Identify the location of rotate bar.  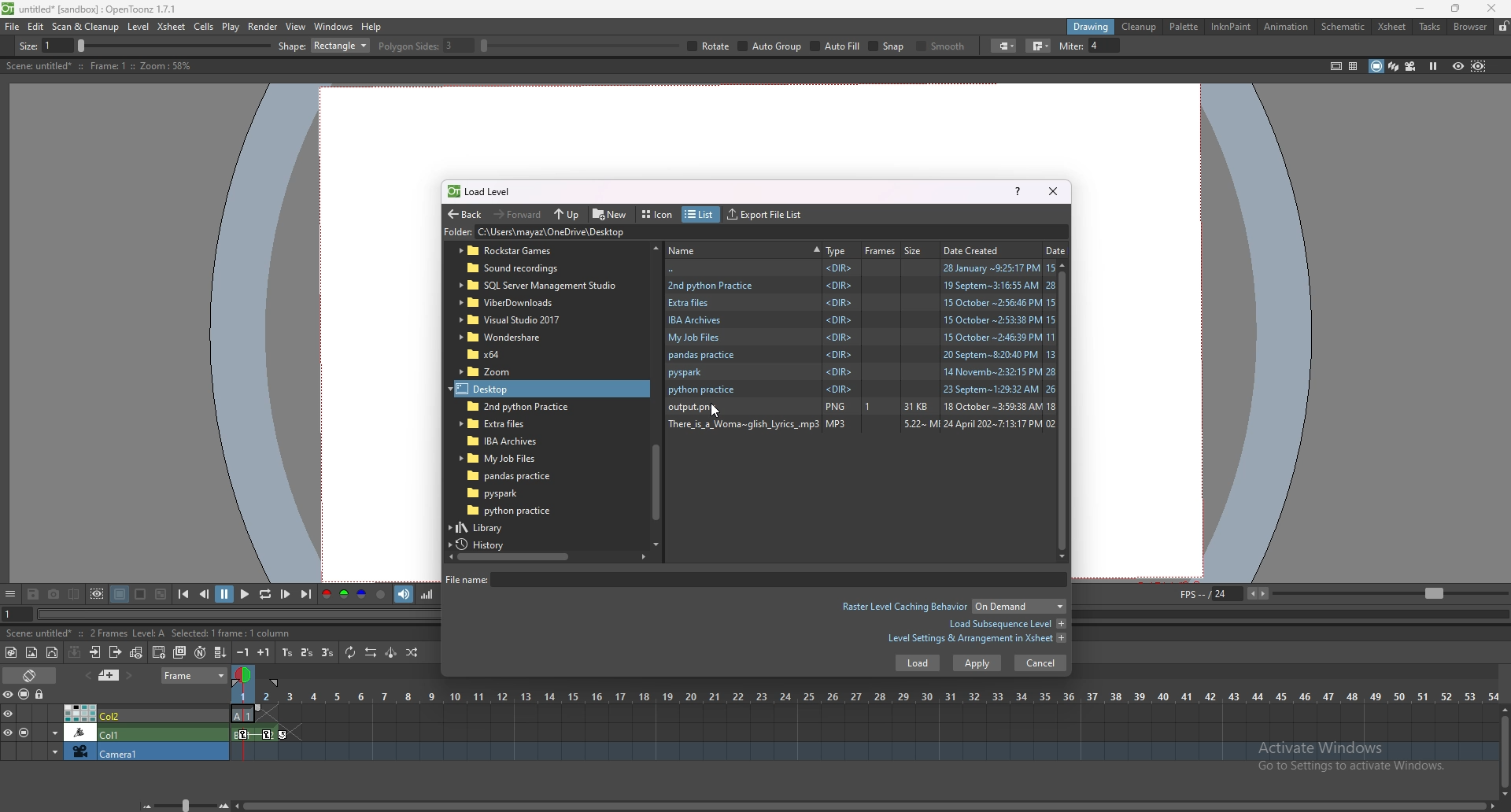
(896, 46).